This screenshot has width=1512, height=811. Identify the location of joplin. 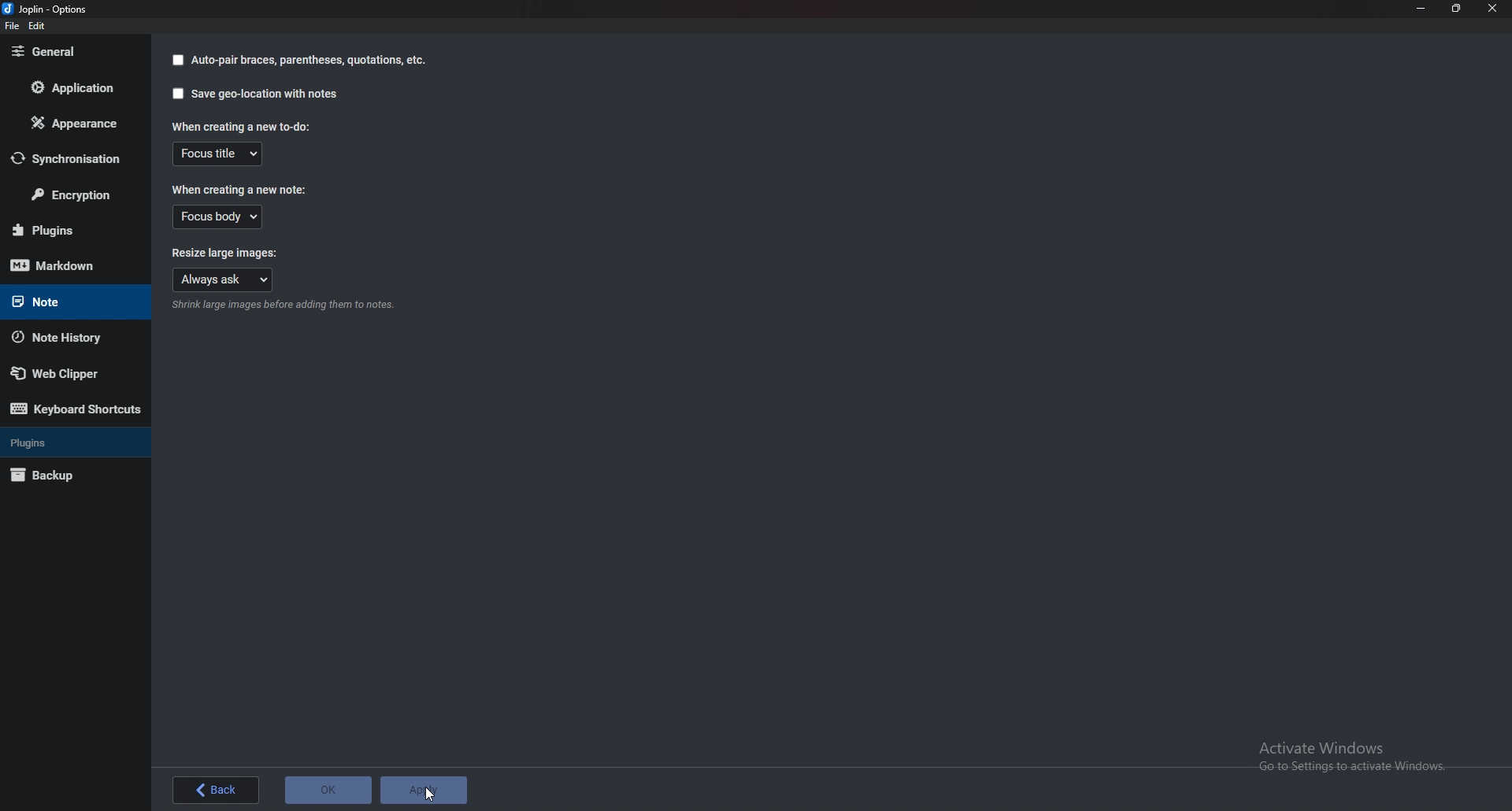
(48, 9).